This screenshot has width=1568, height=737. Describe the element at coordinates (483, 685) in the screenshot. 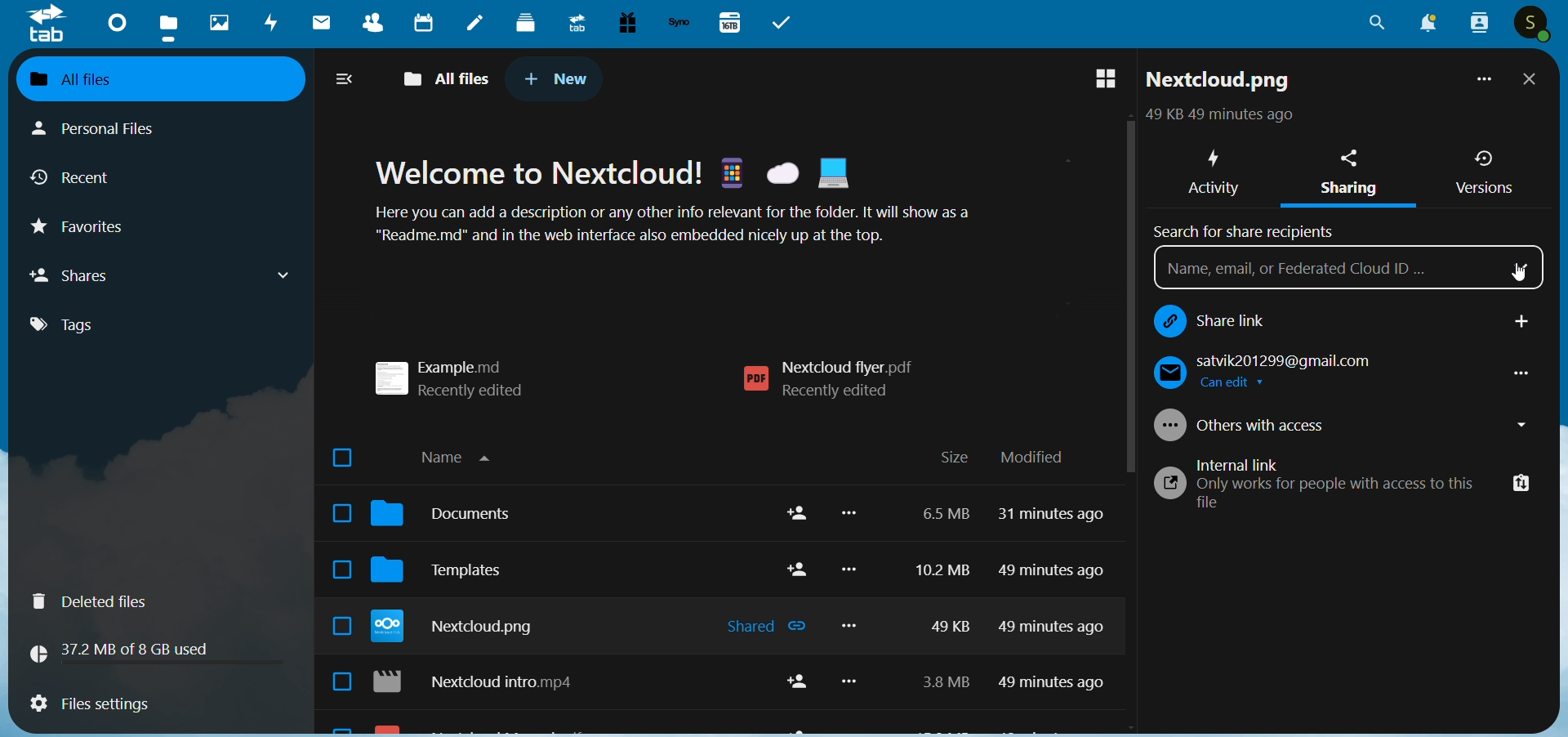

I see `nextcloud intro ` at that location.